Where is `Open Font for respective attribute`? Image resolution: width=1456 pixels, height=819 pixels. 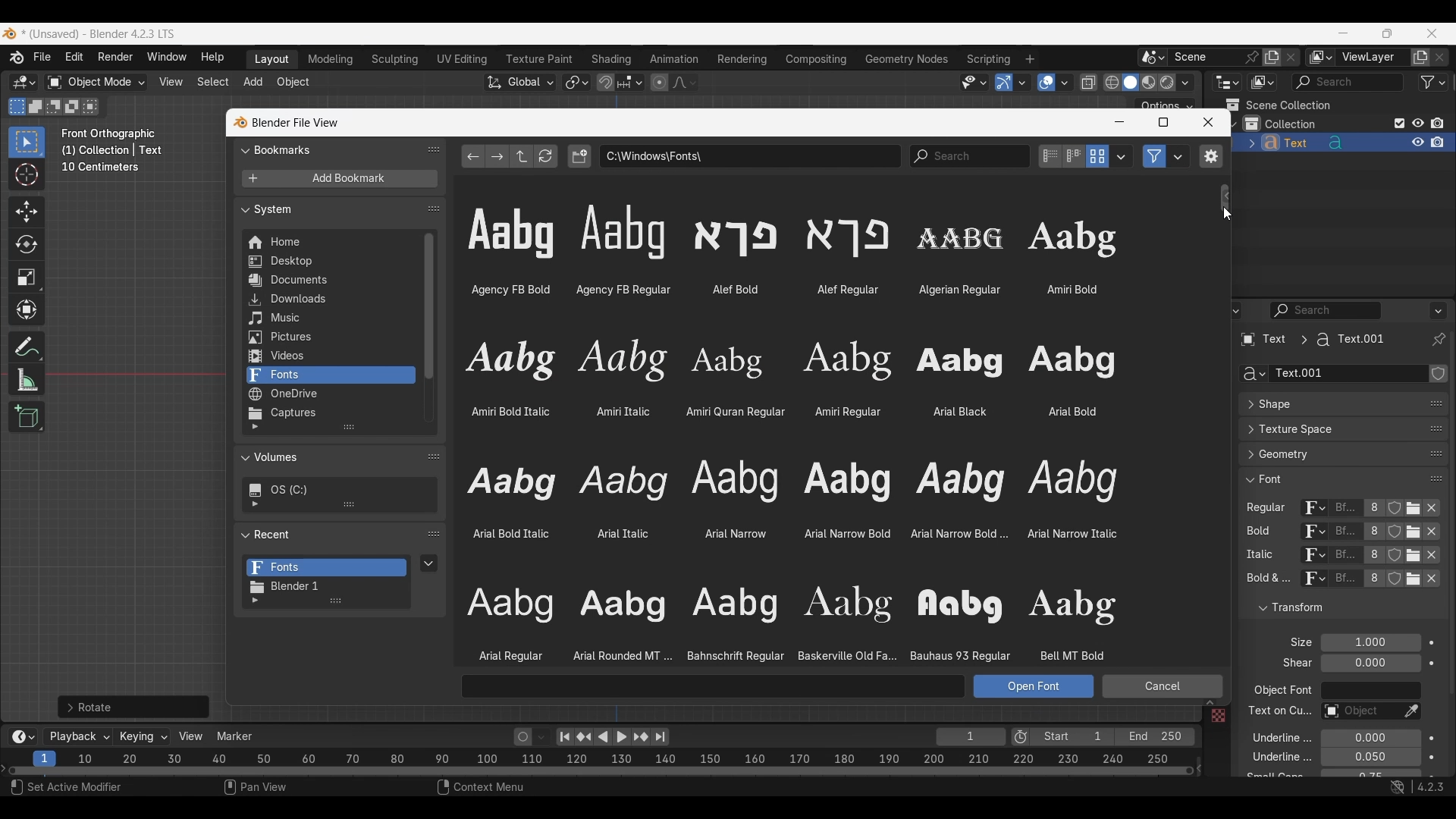 Open Font for respective attribute is located at coordinates (1414, 510).